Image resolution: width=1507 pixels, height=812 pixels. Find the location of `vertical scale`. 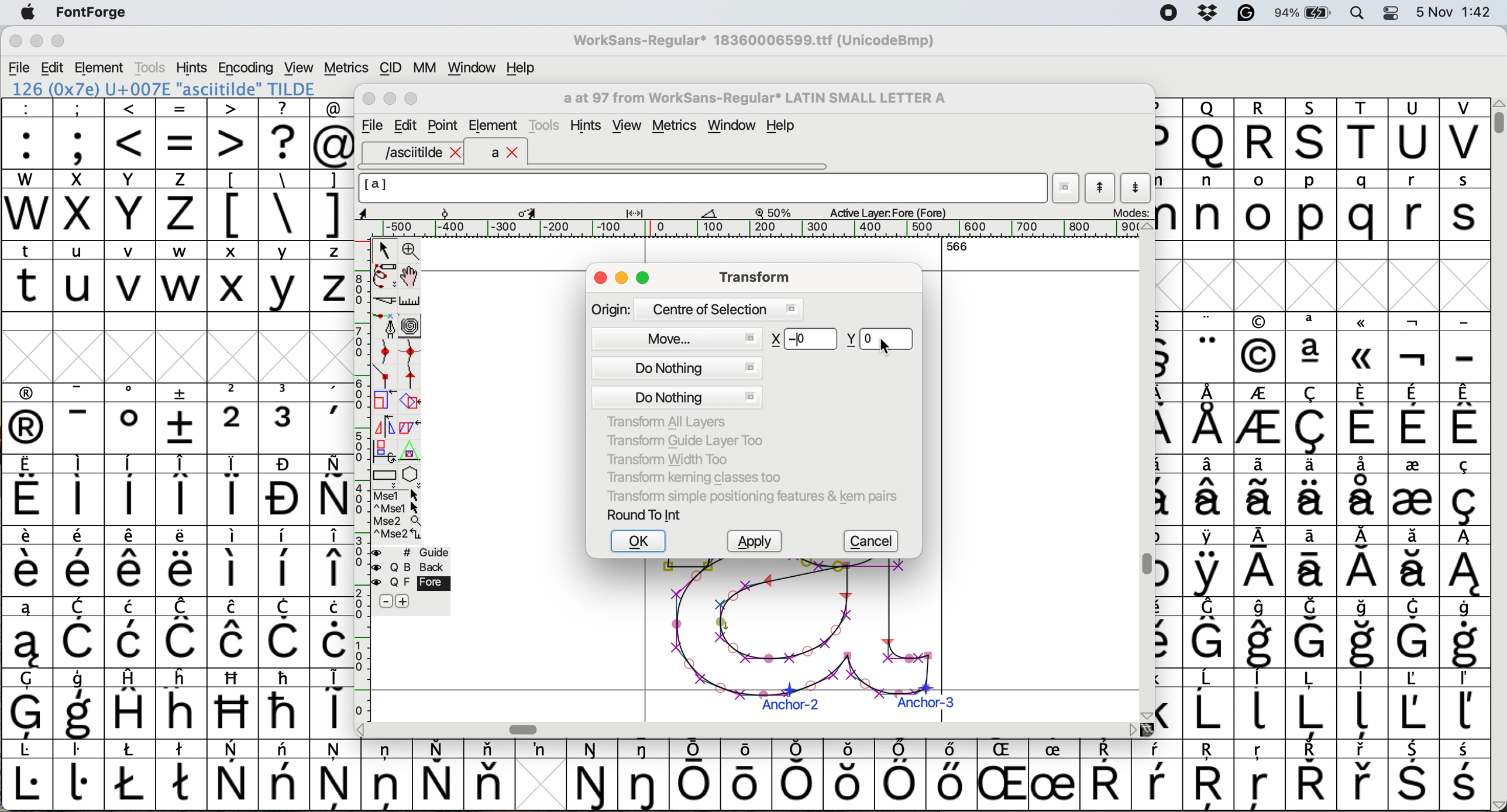

vertical scale is located at coordinates (361, 466).